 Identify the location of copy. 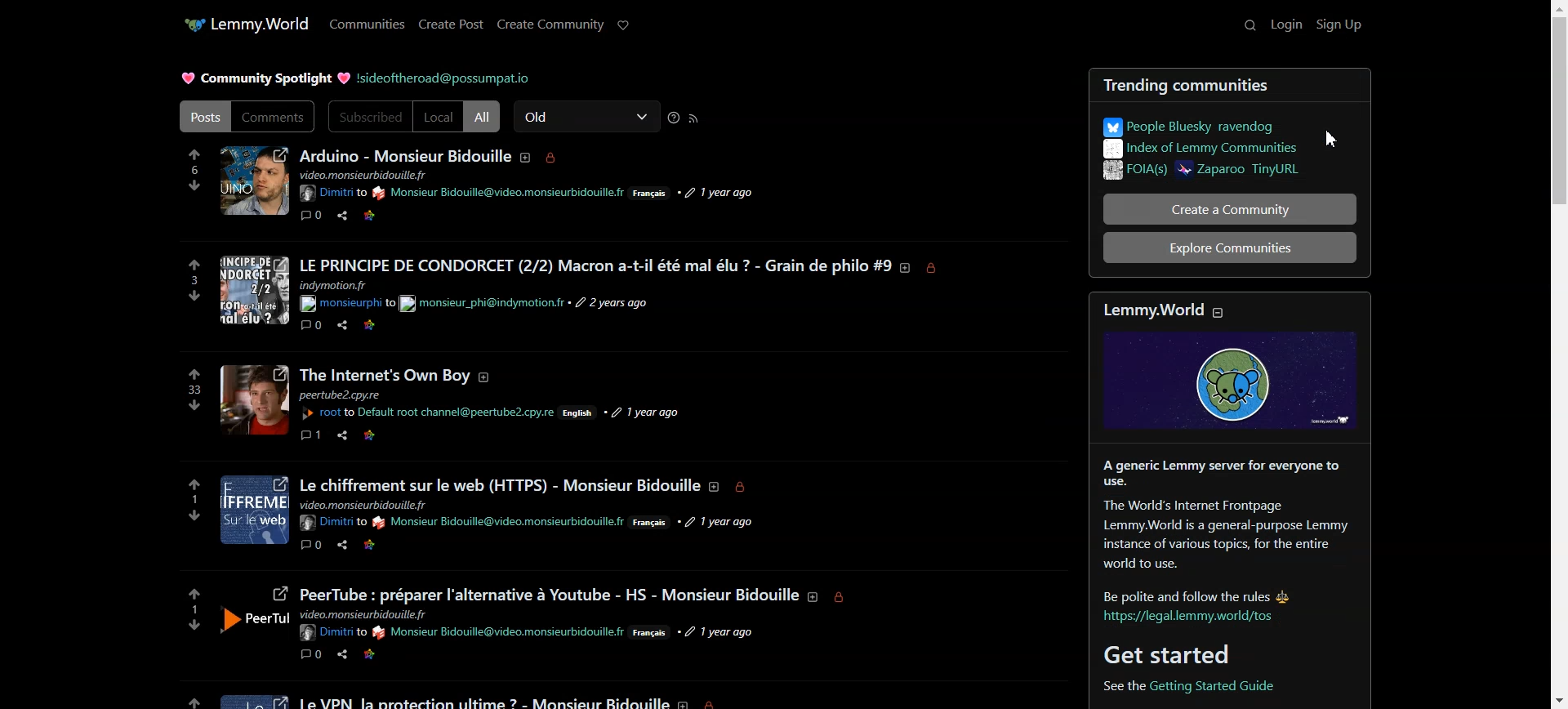
(428, 653).